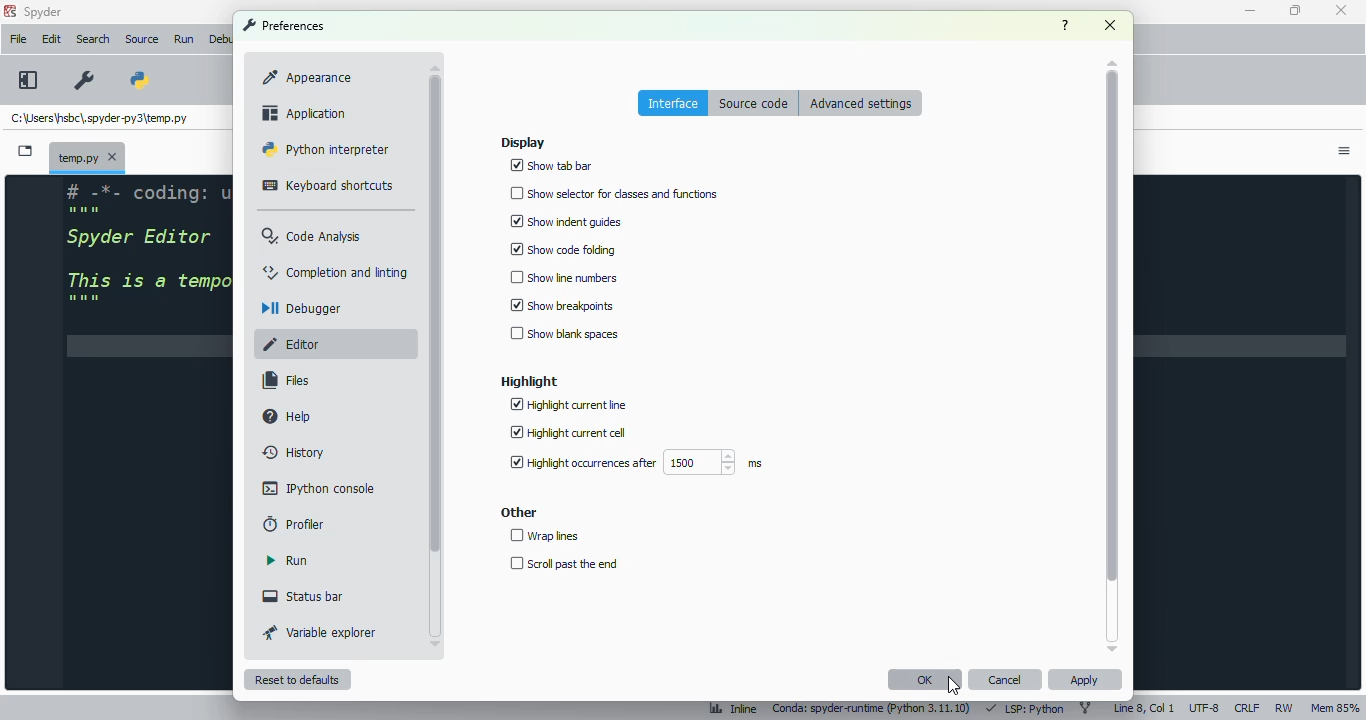  What do you see at coordinates (43, 12) in the screenshot?
I see `spyder` at bounding box center [43, 12].